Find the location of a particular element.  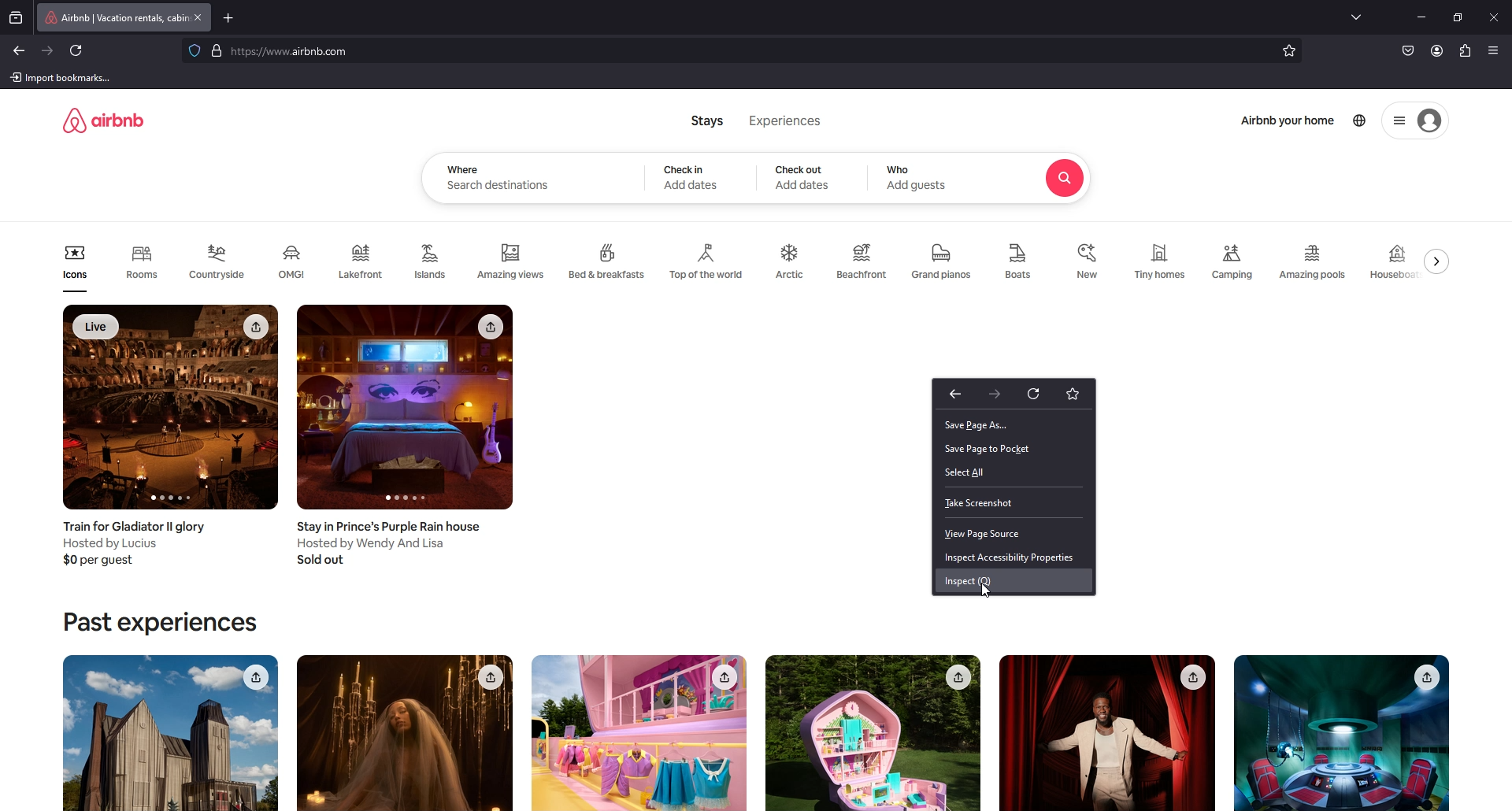

where is located at coordinates (463, 169).